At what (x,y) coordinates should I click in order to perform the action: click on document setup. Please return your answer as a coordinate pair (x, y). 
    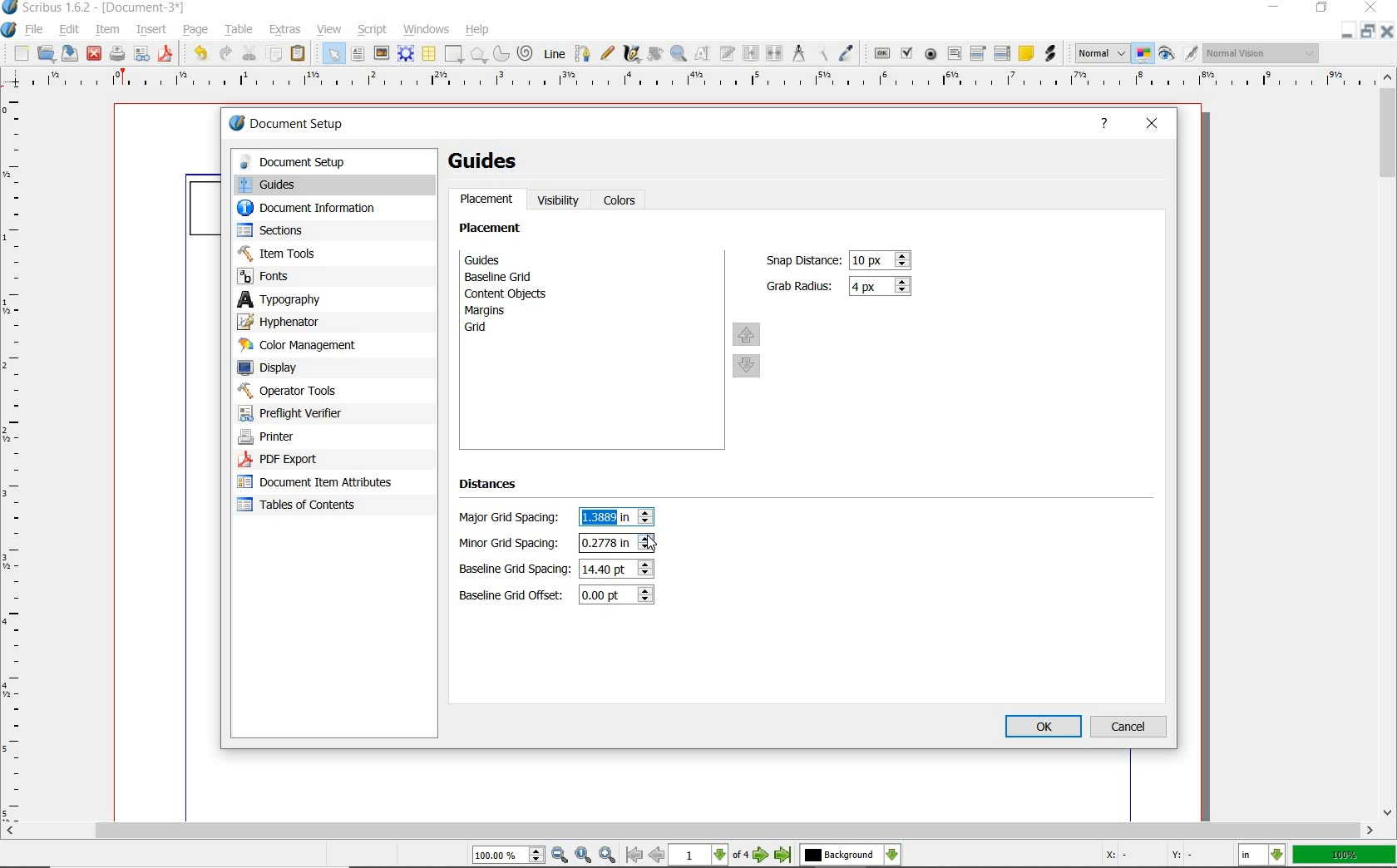
    Looking at the image, I should click on (305, 126).